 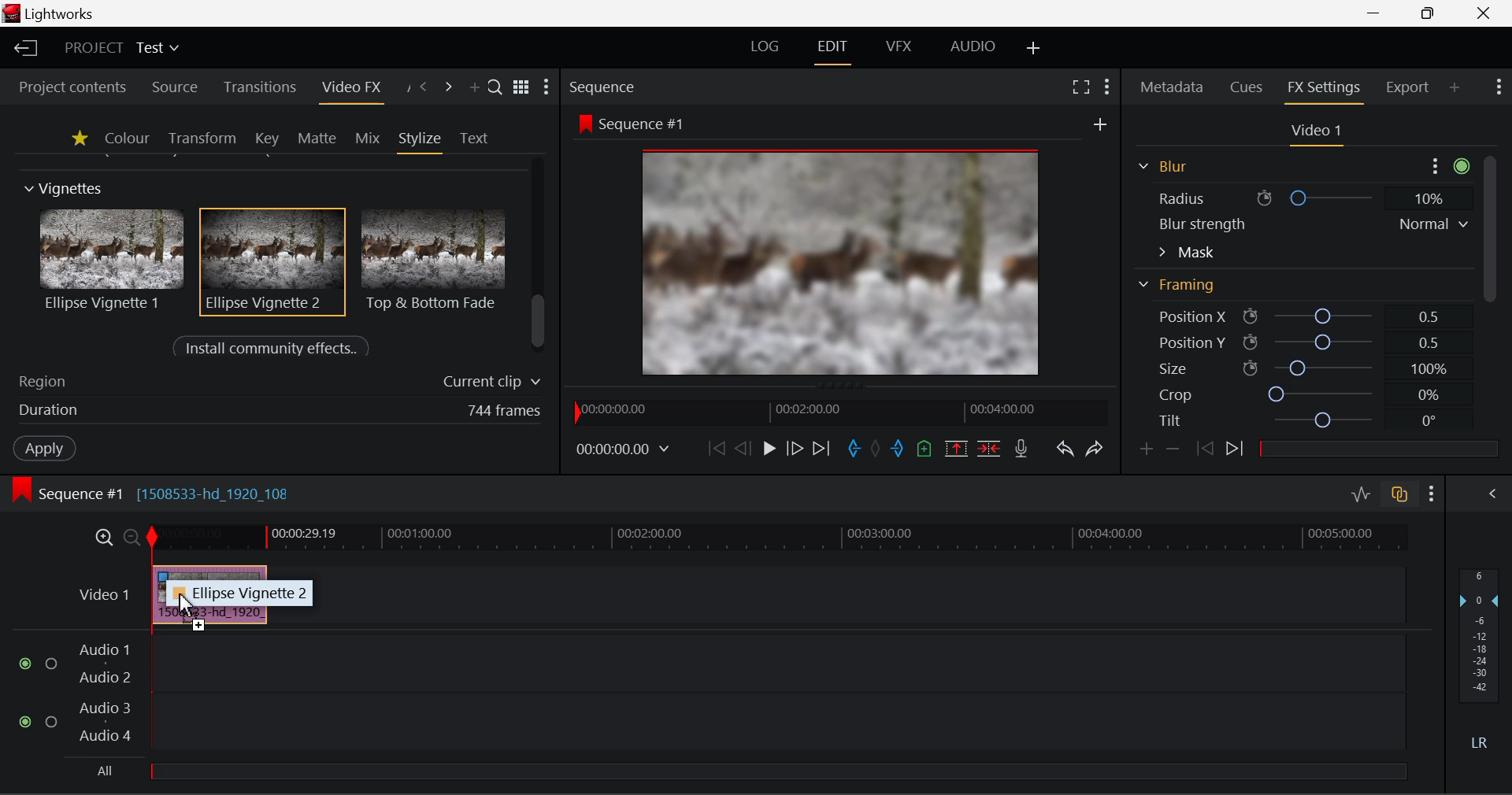 I want to click on Transitions, so click(x=258, y=88).